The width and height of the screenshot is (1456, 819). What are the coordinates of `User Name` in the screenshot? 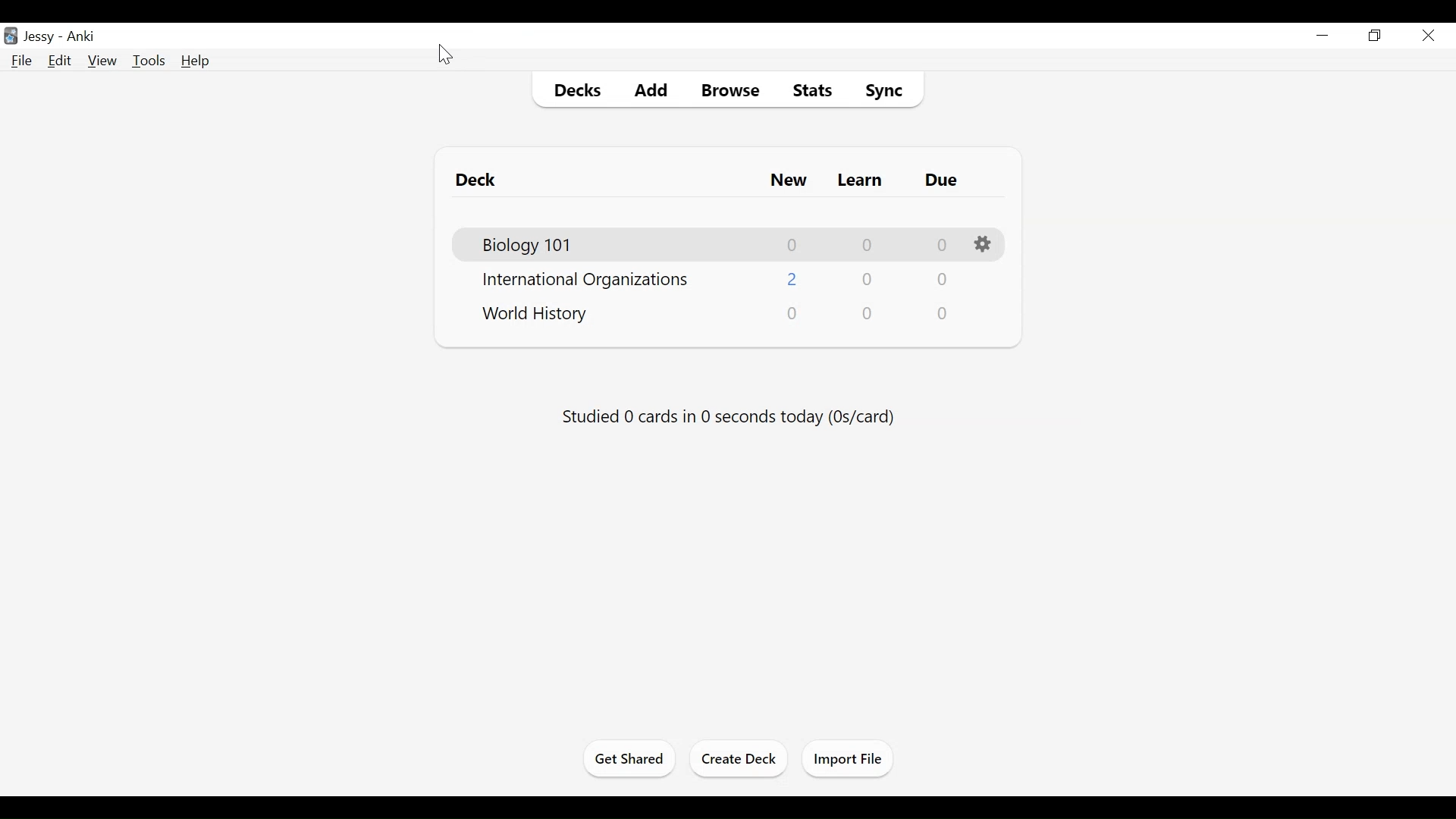 It's located at (42, 37).